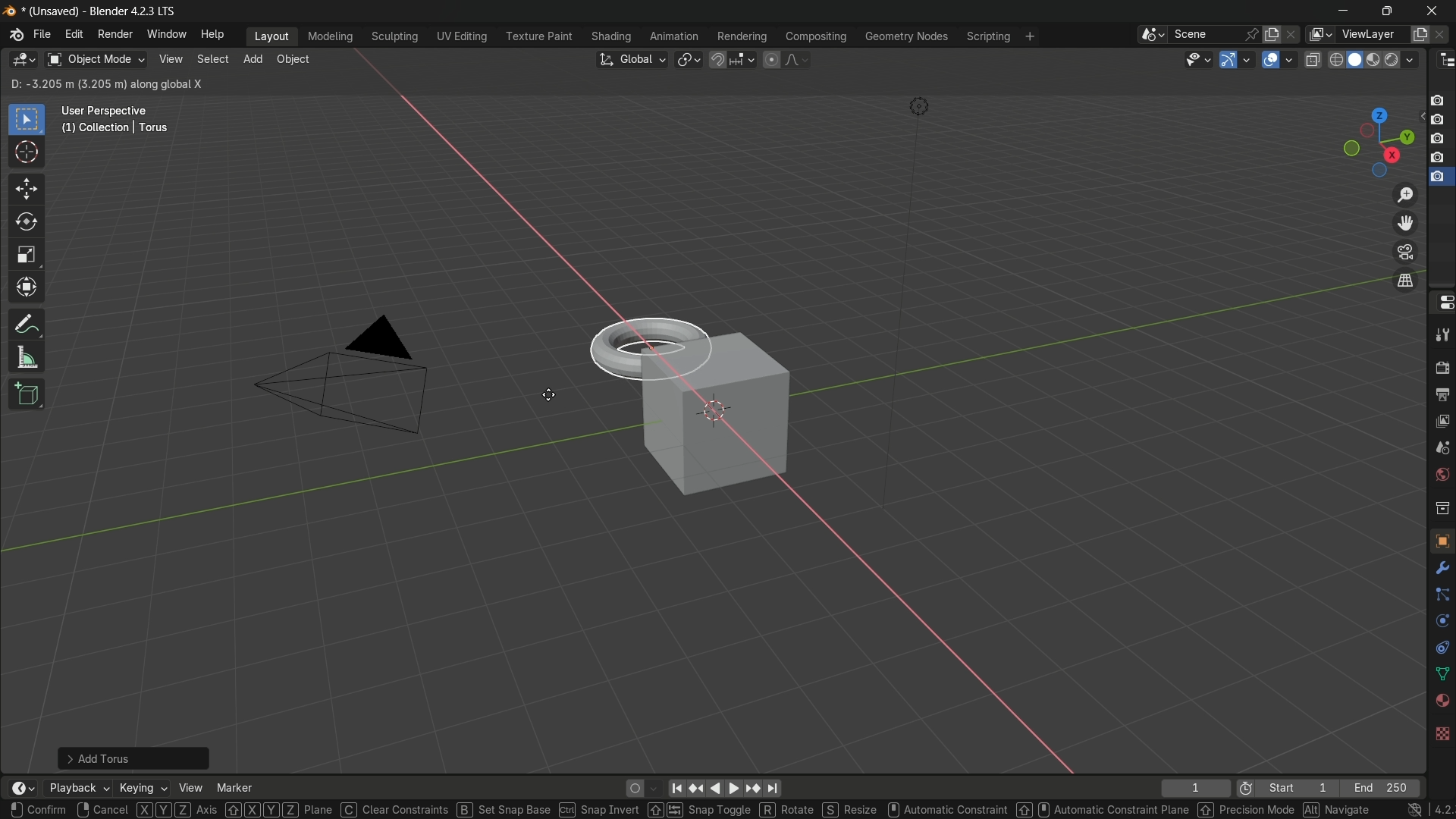 The height and width of the screenshot is (819, 1456). Describe the element at coordinates (141, 787) in the screenshot. I see `keying` at that location.